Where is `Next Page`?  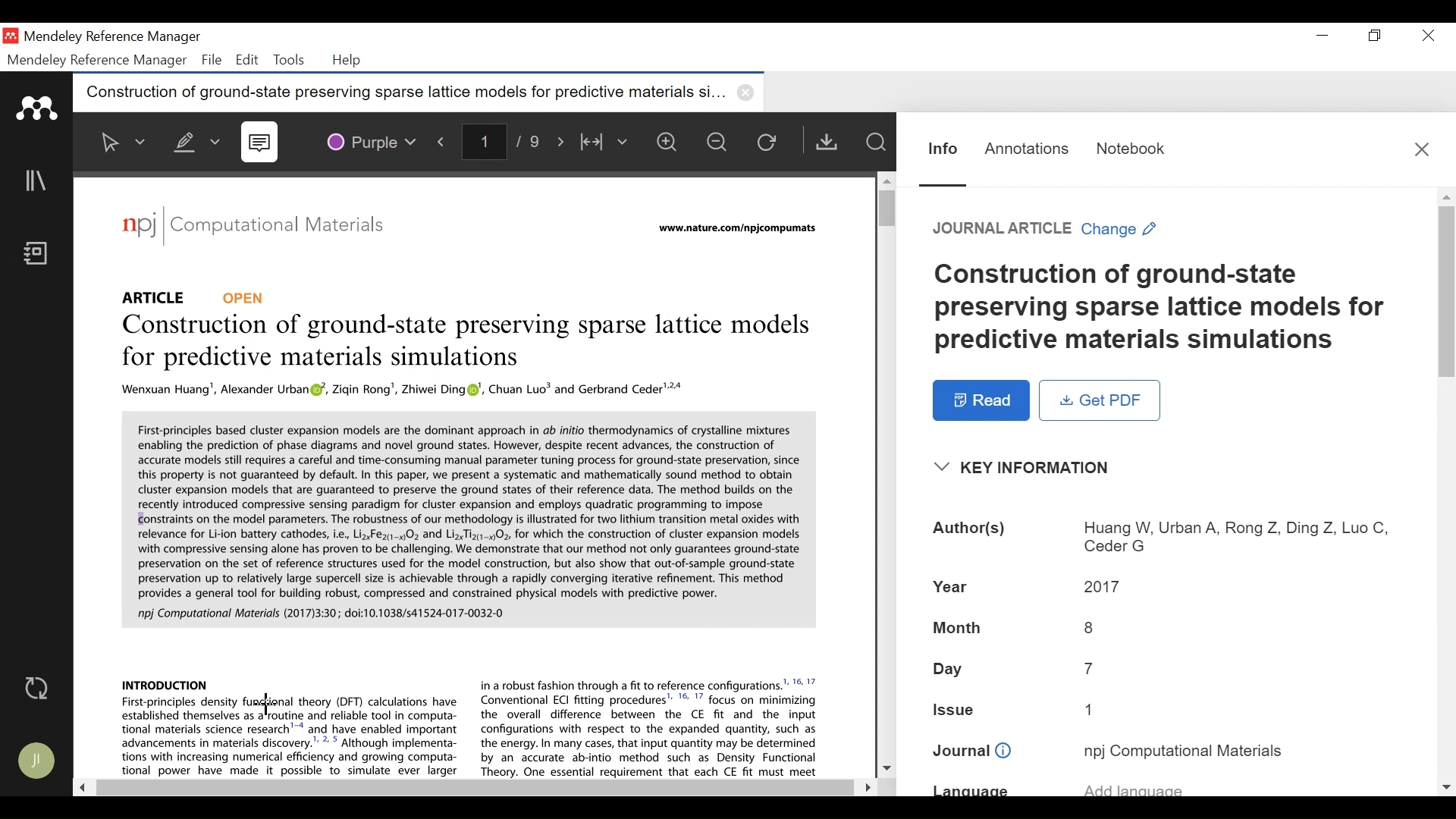 Next Page is located at coordinates (562, 142).